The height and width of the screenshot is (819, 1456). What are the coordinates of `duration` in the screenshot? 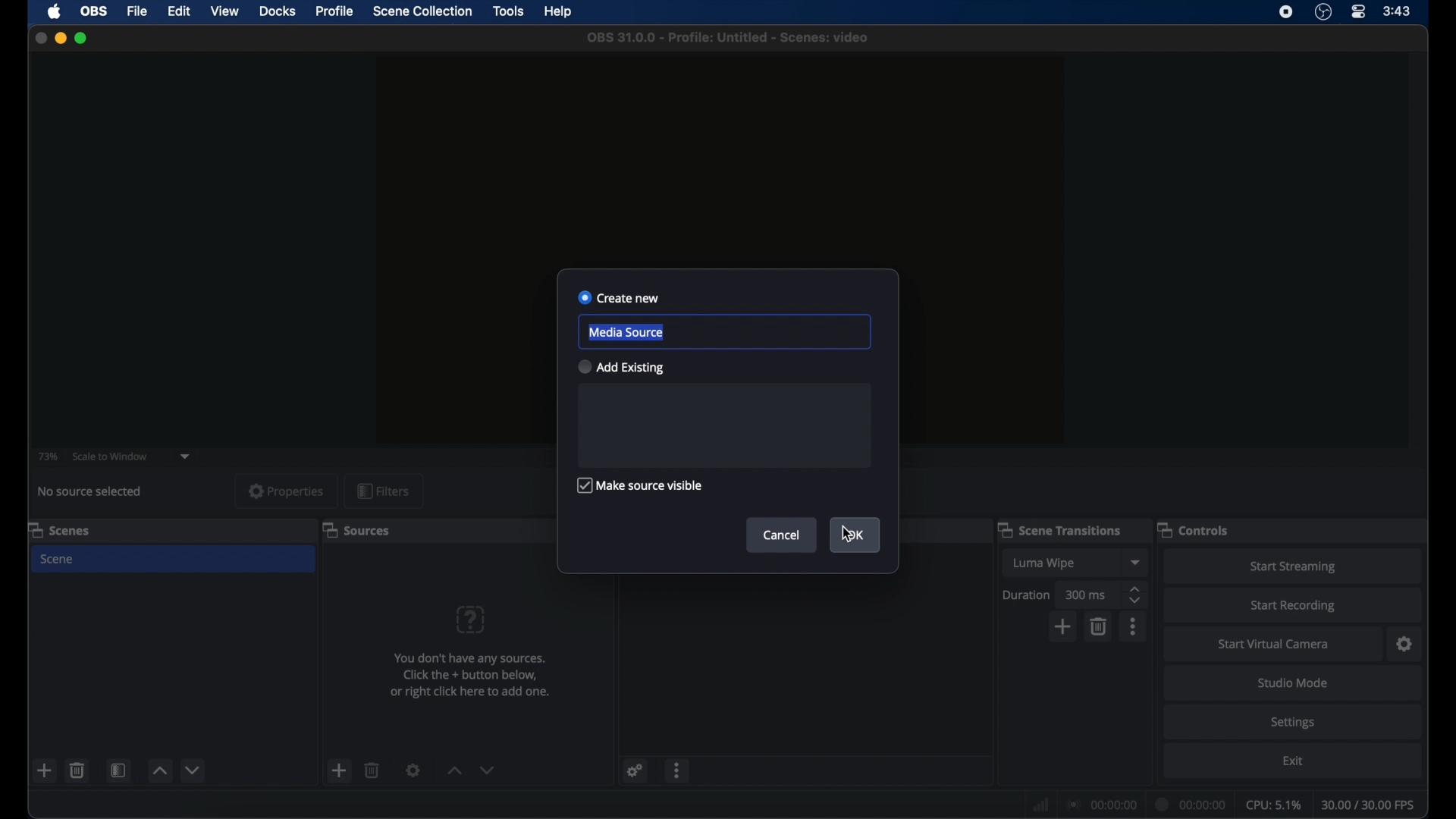 It's located at (1027, 596).